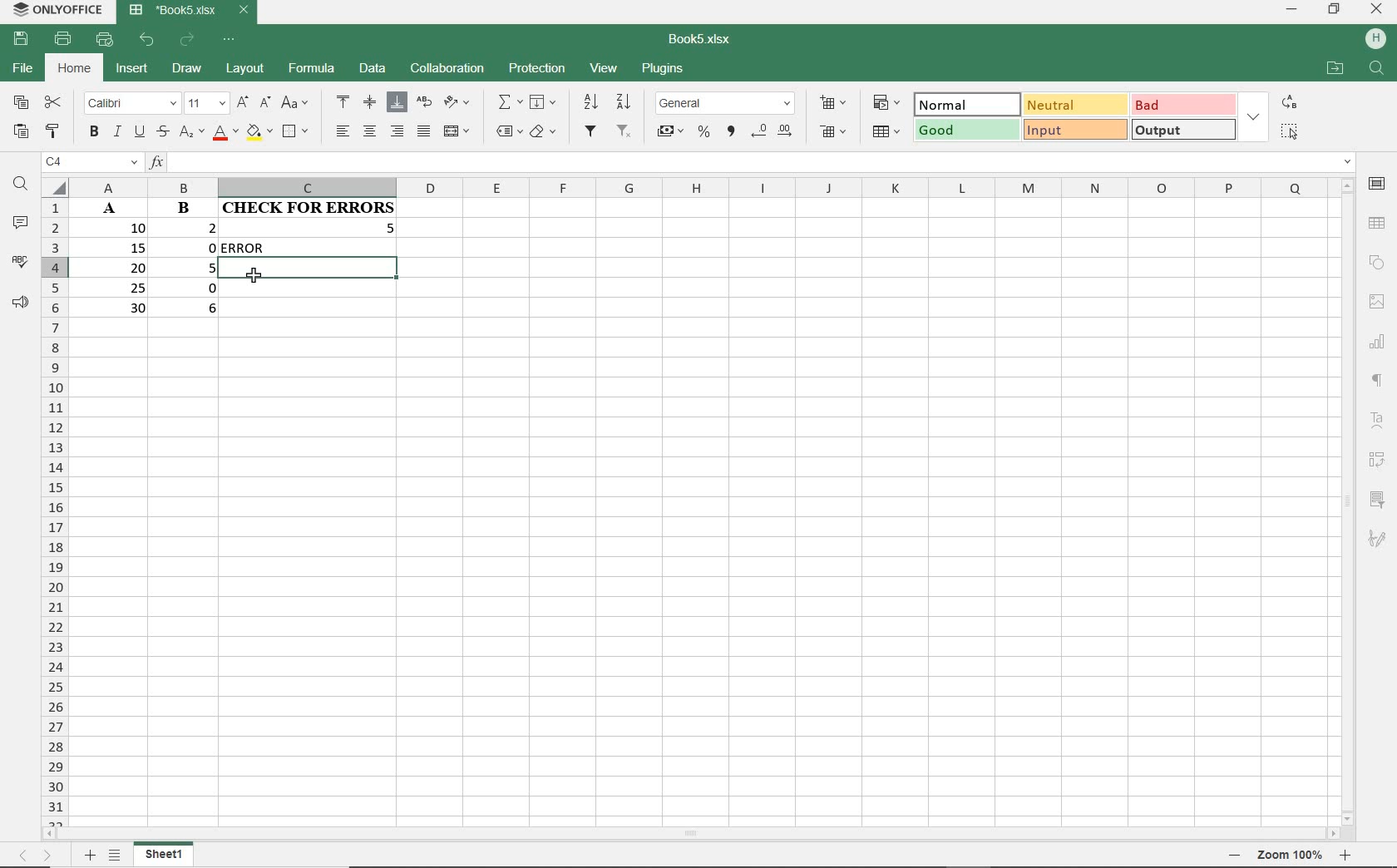 The height and width of the screenshot is (868, 1397). I want to click on , so click(1347, 856).